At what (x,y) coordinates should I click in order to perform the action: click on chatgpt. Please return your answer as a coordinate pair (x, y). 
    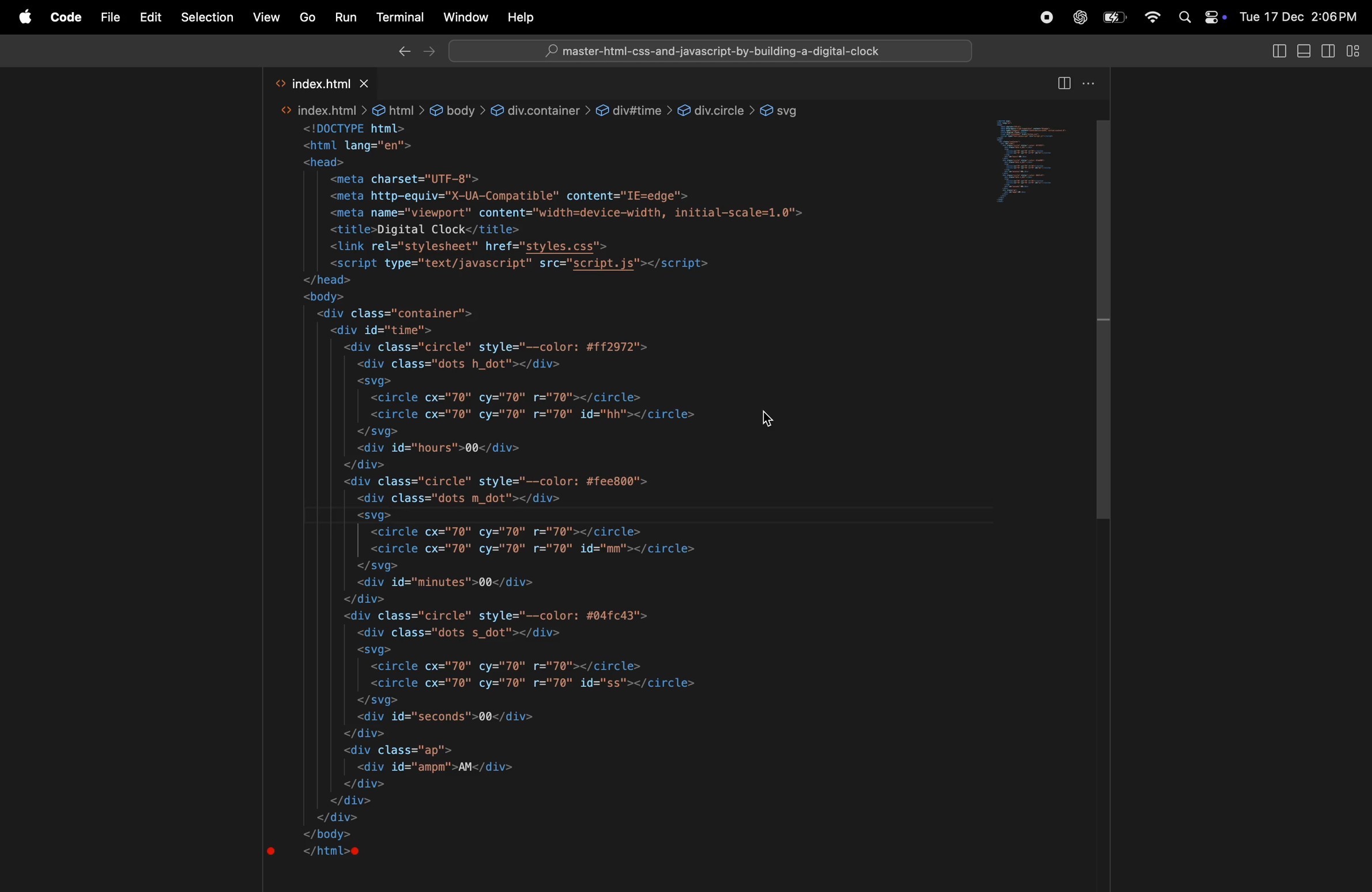
    Looking at the image, I should click on (1077, 17).